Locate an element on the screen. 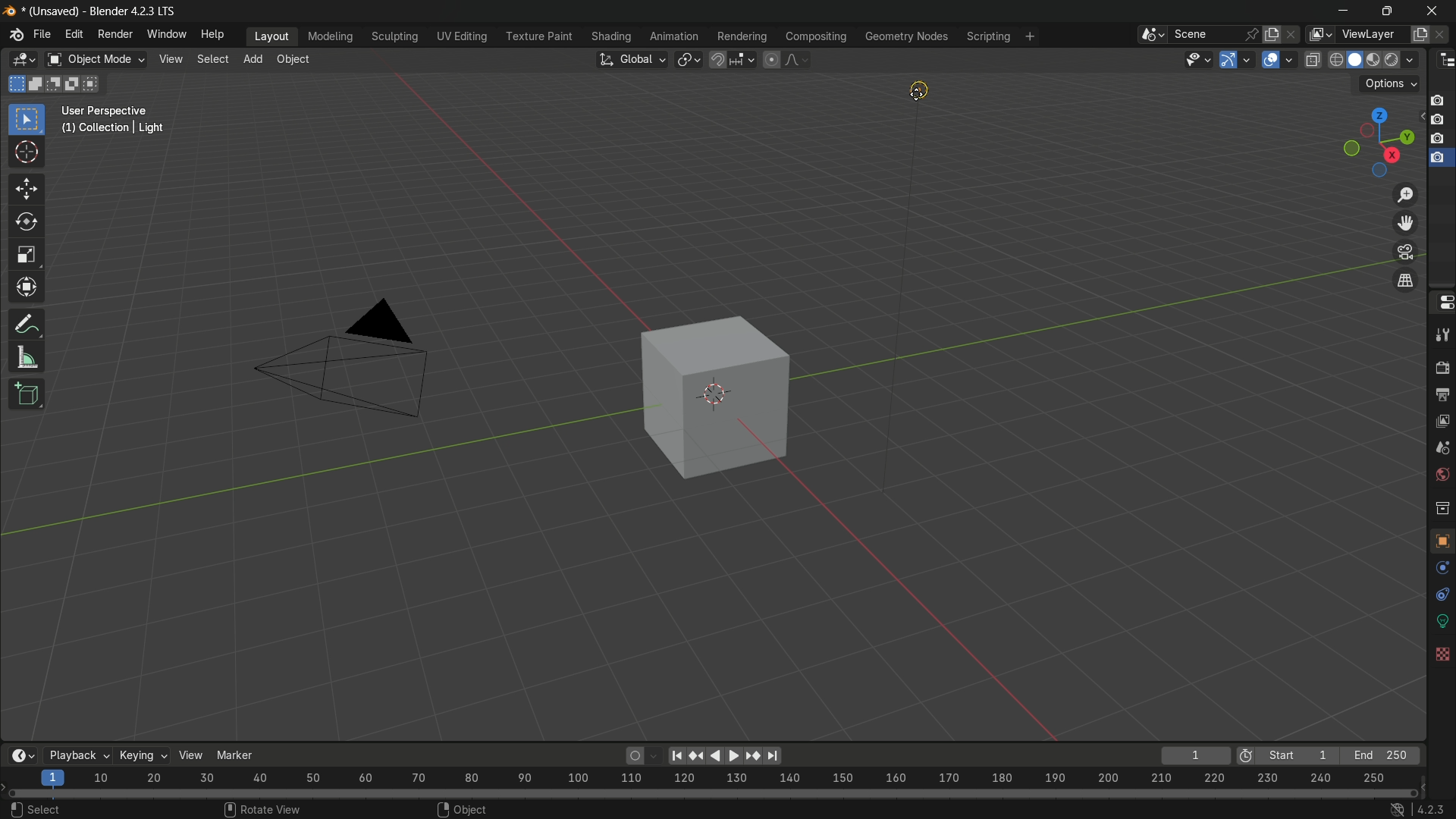  user perspective (1) collection | cube is located at coordinates (121, 120).